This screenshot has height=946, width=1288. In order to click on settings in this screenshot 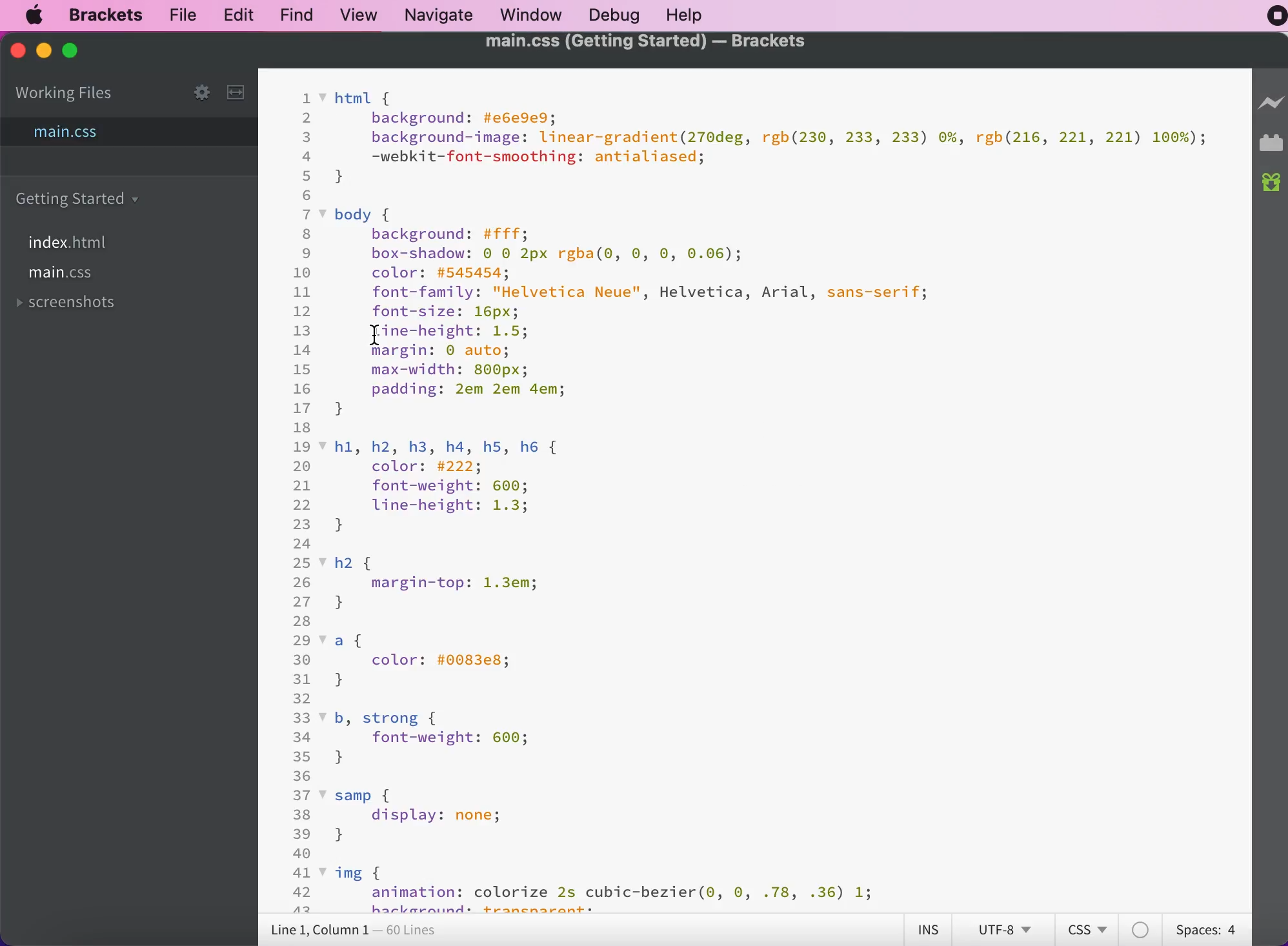, I will do `click(200, 90)`.